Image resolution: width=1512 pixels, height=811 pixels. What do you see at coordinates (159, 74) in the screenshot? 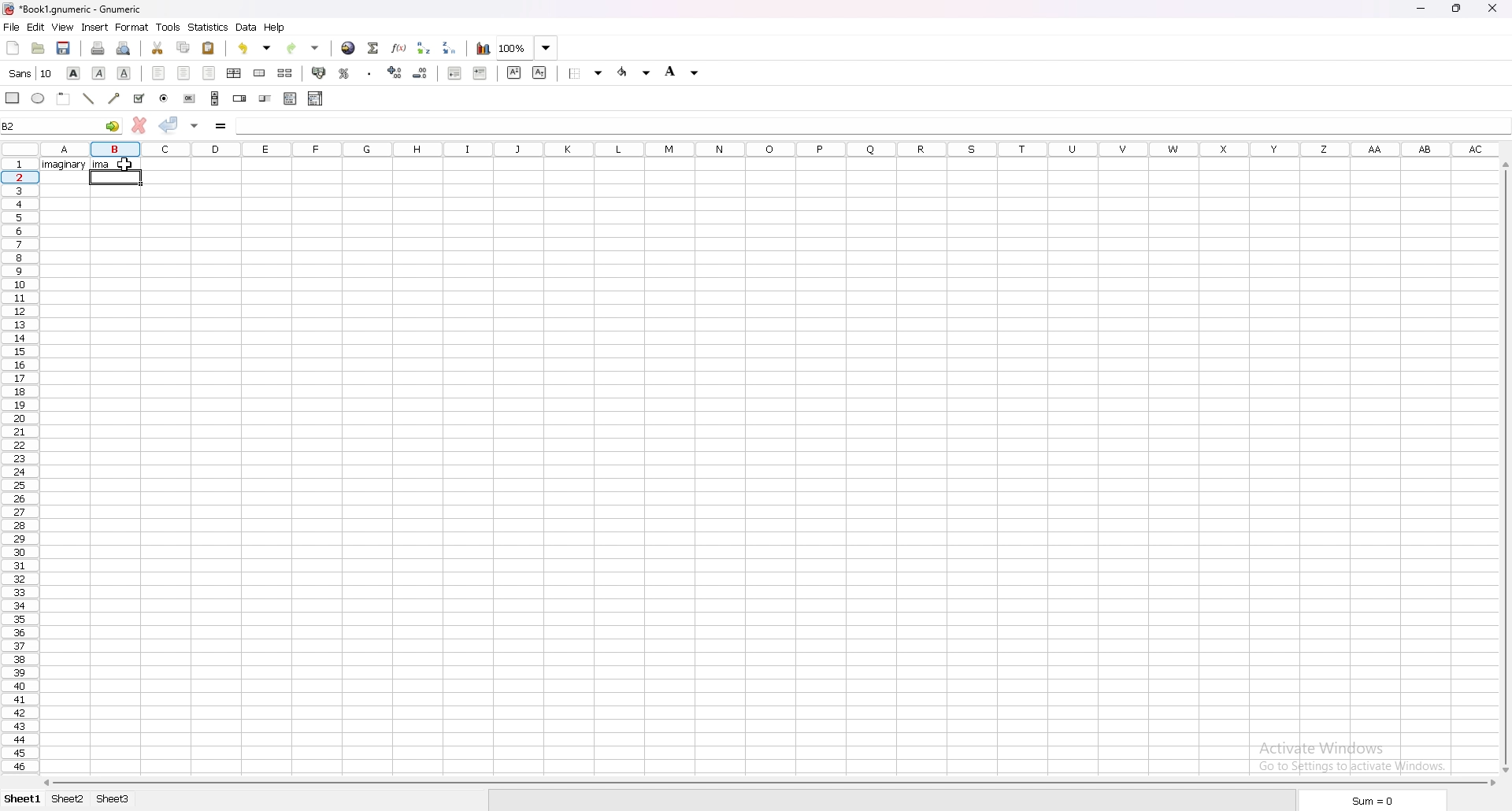
I see `left align` at bounding box center [159, 74].